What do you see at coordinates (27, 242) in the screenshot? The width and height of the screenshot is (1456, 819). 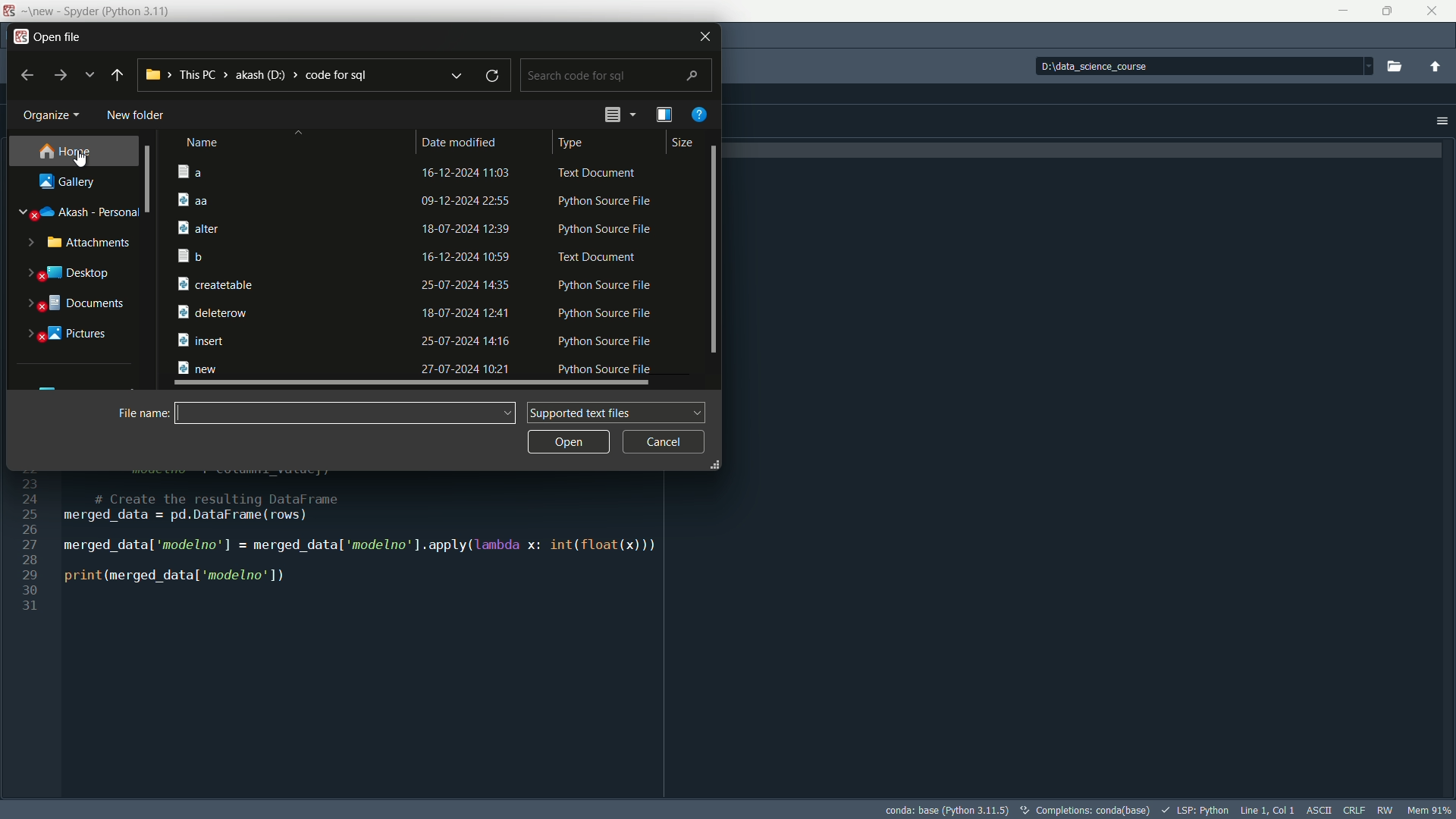 I see `expand` at bounding box center [27, 242].